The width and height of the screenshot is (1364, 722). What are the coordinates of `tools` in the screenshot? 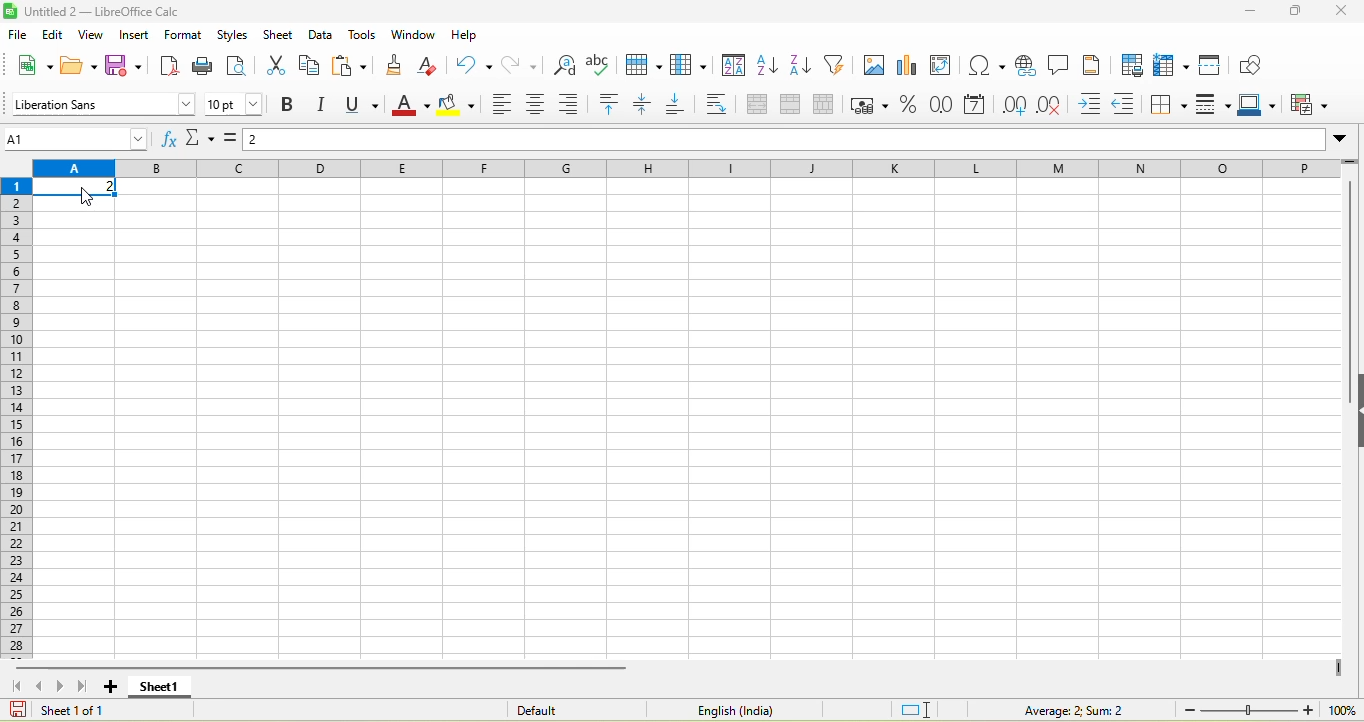 It's located at (362, 36).